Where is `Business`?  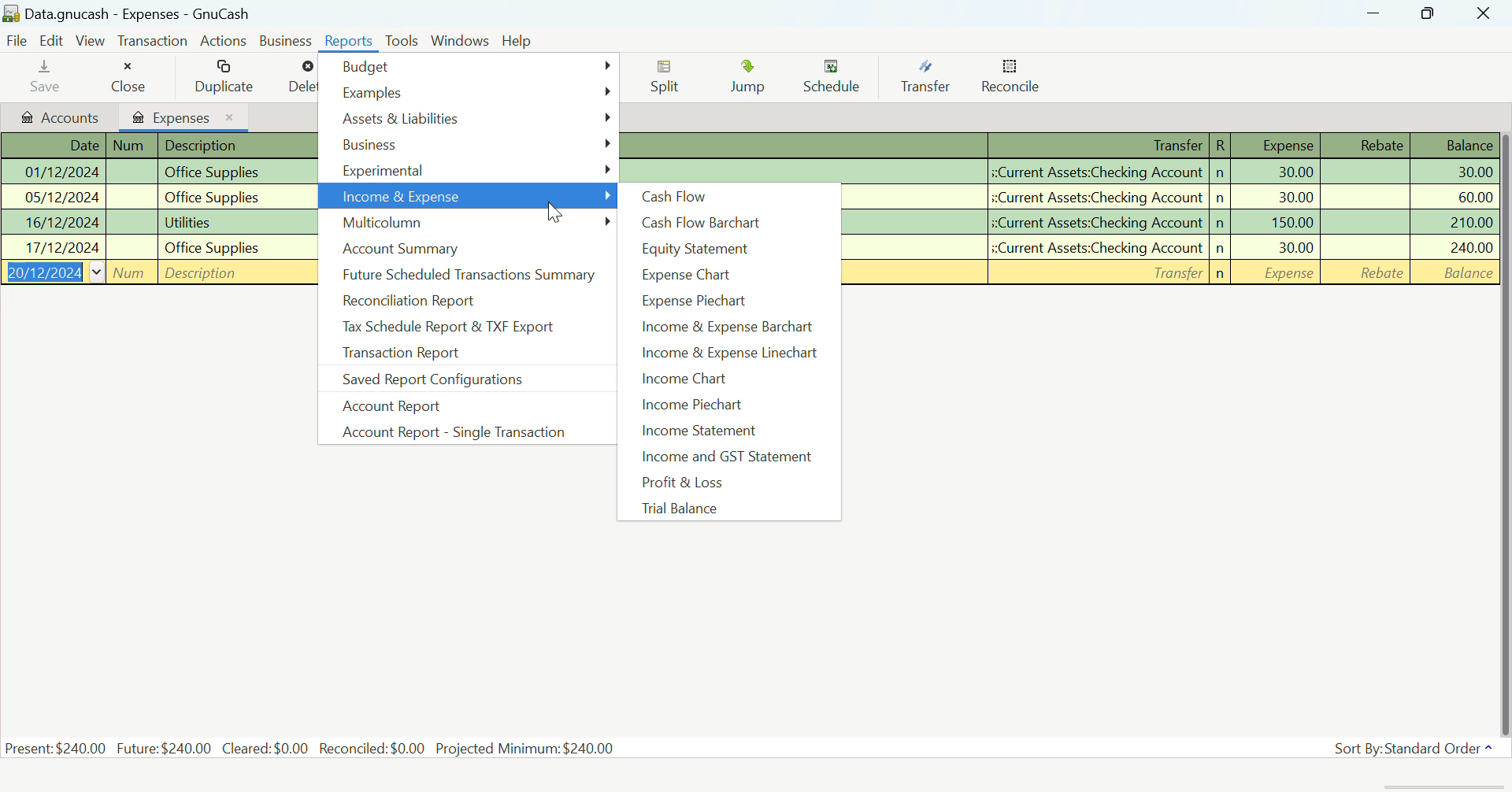
Business is located at coordinates (285, 40).